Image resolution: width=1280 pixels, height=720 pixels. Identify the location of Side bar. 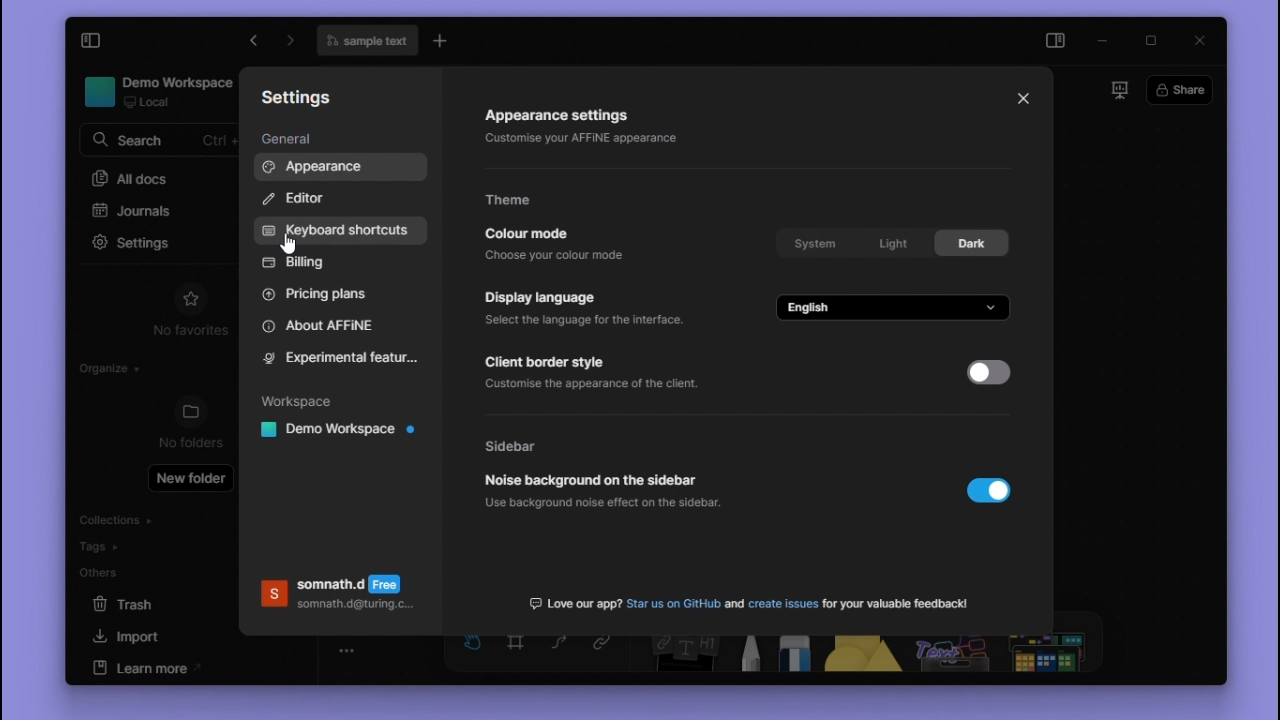
(514, 448).